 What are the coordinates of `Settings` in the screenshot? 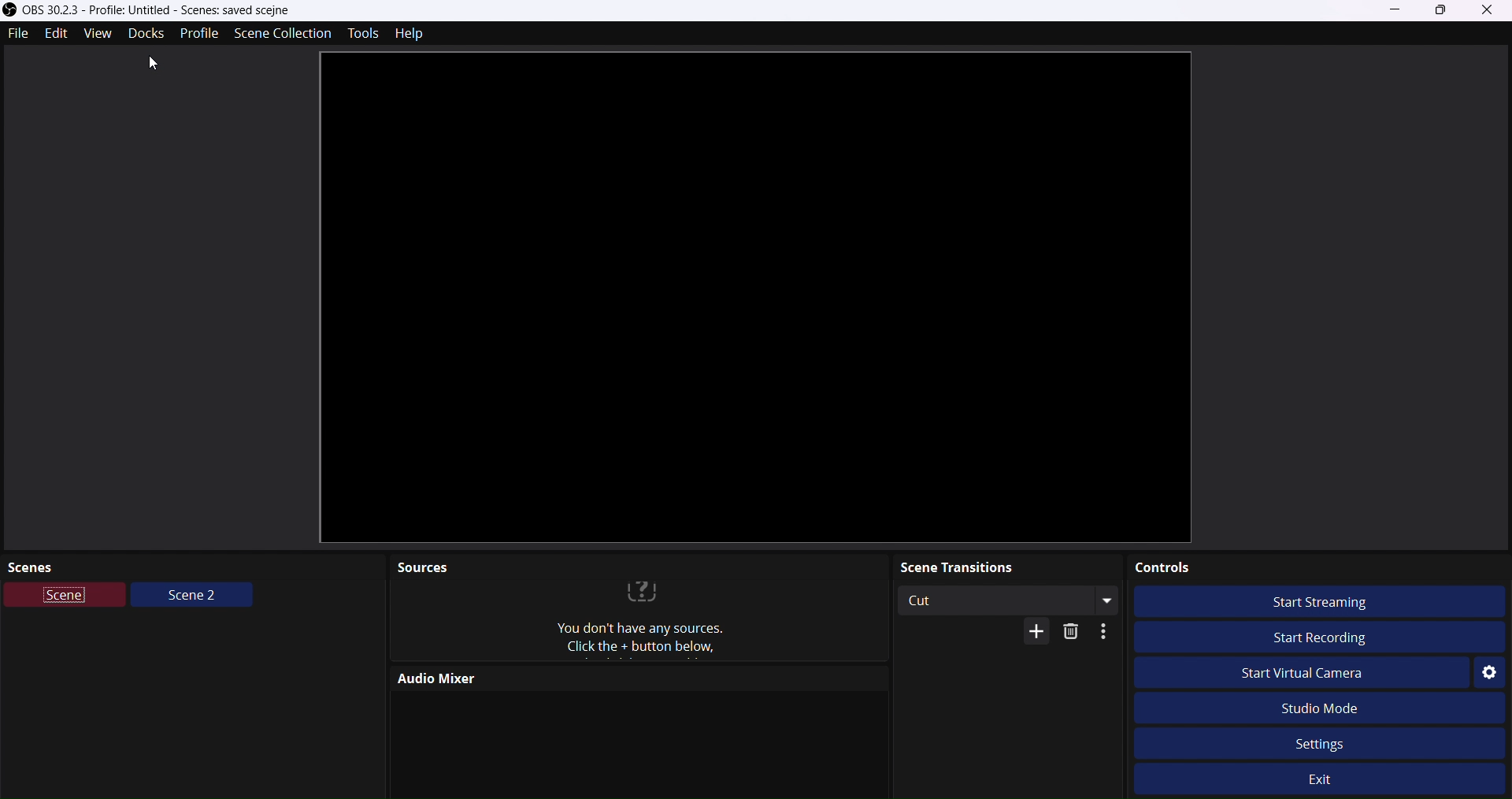 It's located at (1488, 673).